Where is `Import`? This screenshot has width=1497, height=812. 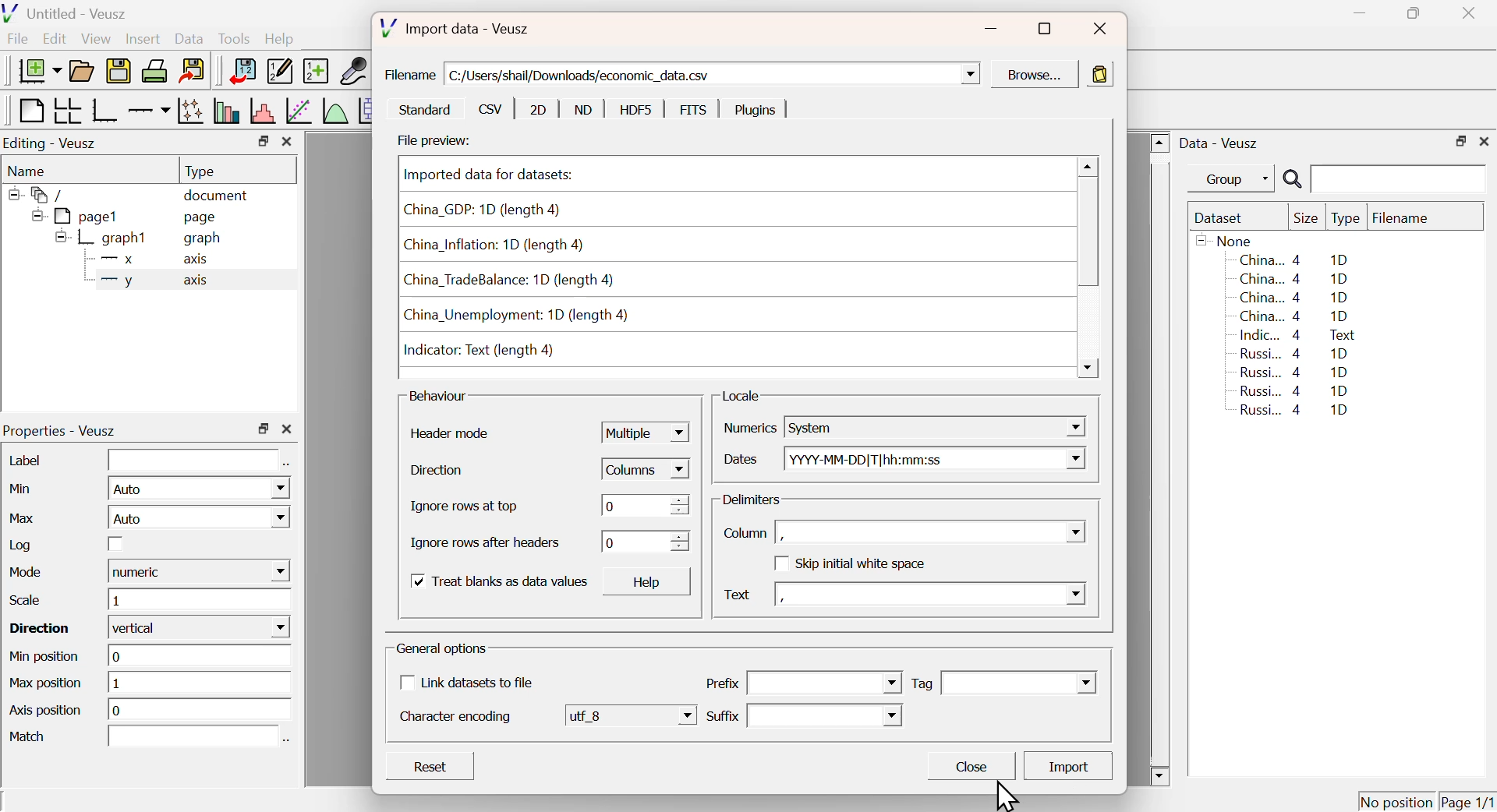
Import is located at coordinates (1067, 767).